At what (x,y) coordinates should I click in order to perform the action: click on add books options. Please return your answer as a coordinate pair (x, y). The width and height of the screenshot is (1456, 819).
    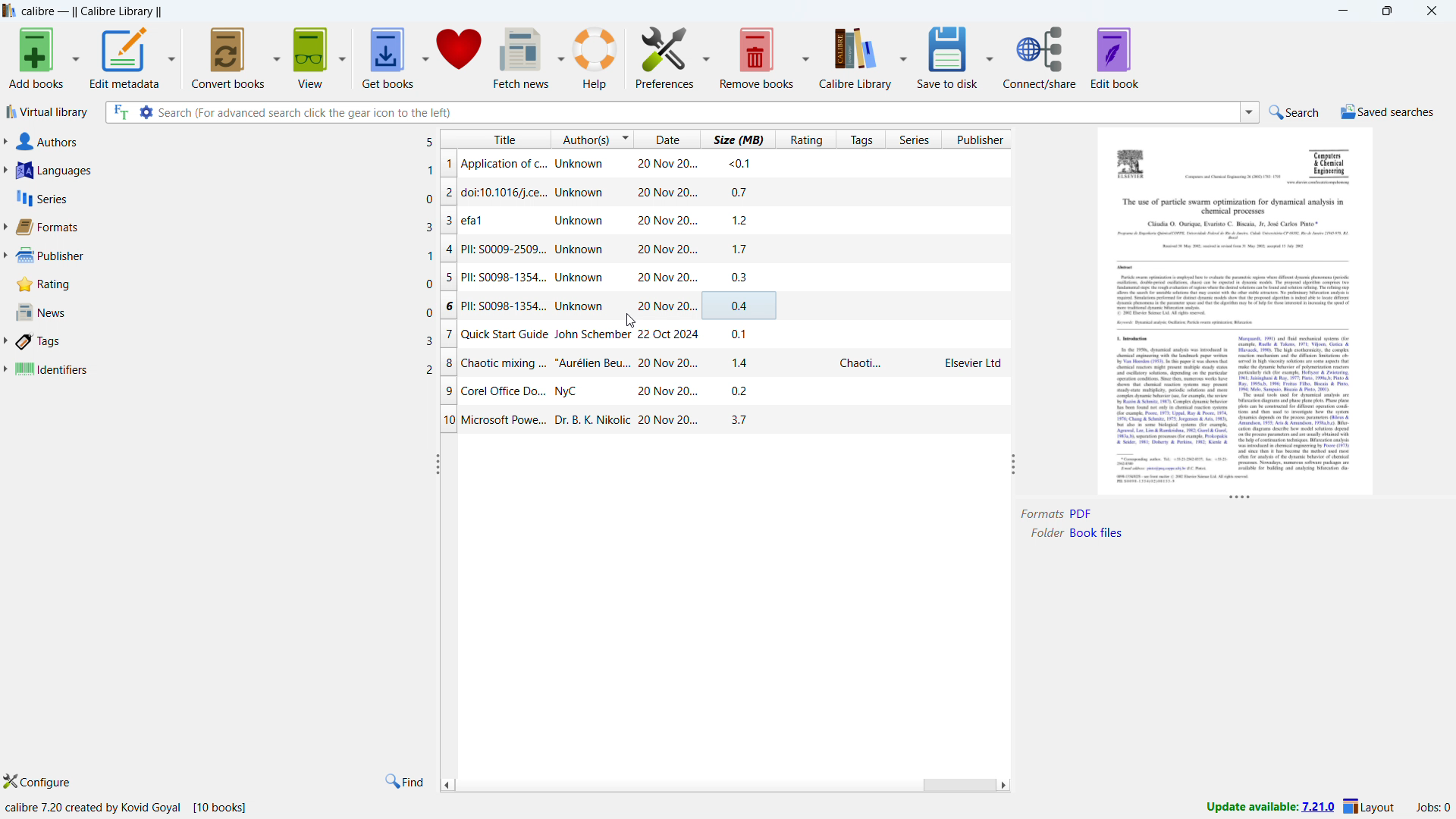
    Looking at the image, I should click on (76, 57).